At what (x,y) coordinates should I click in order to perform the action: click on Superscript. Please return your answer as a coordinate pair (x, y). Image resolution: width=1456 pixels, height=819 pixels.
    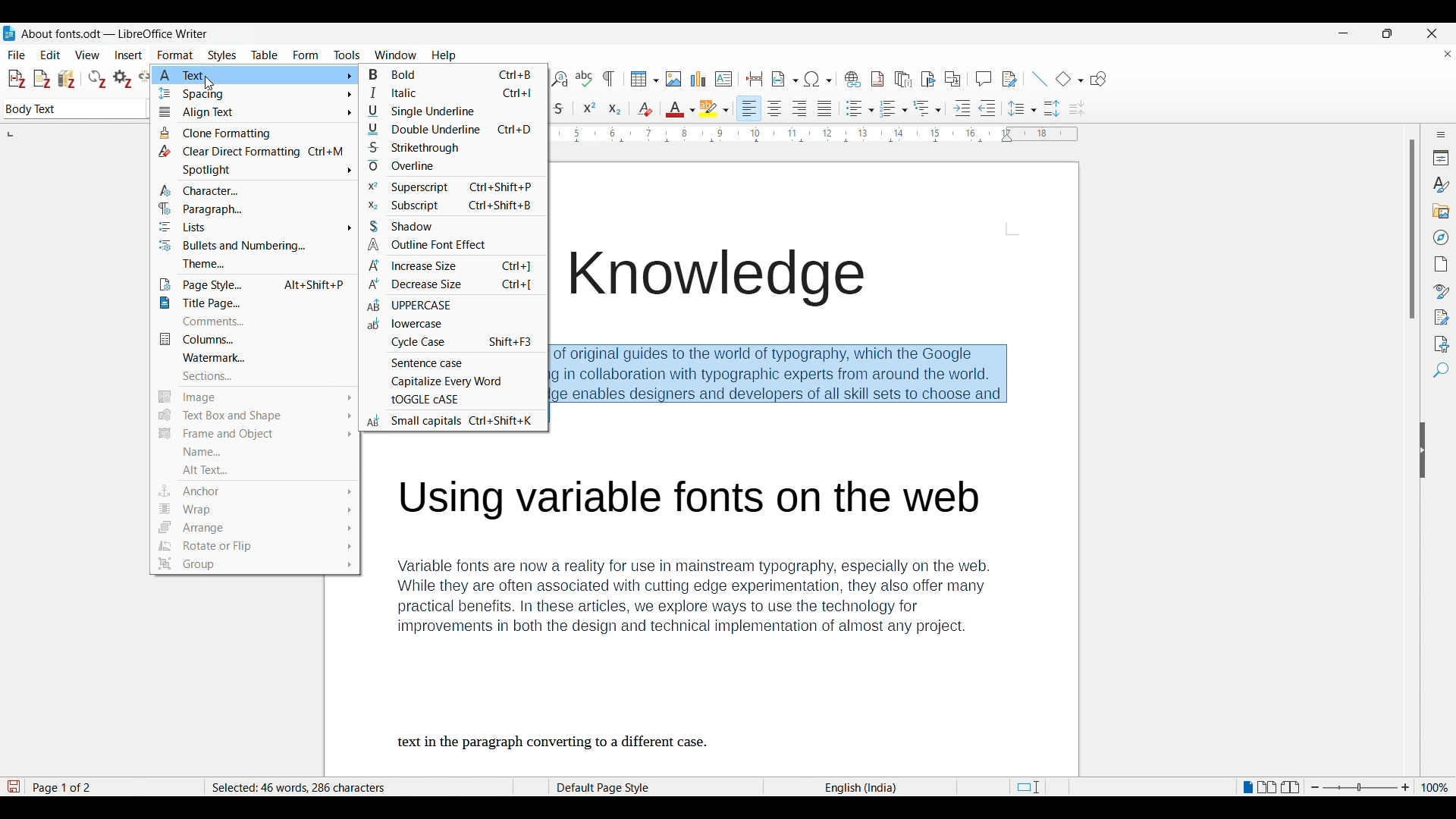
    Looking at the image, I should click on (589, 107).